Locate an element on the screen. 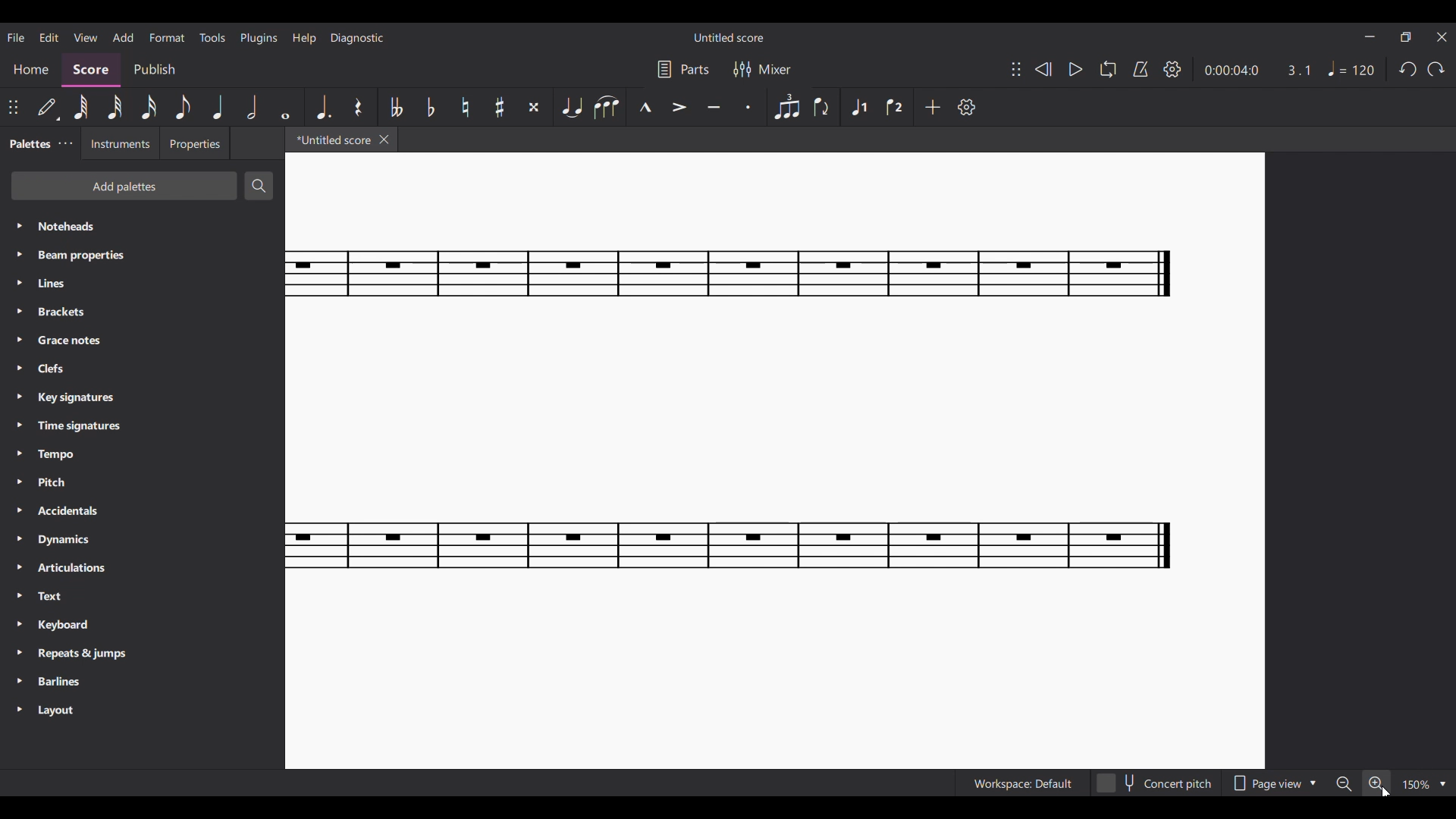  Page view options is located at coordinates (1271, 783).